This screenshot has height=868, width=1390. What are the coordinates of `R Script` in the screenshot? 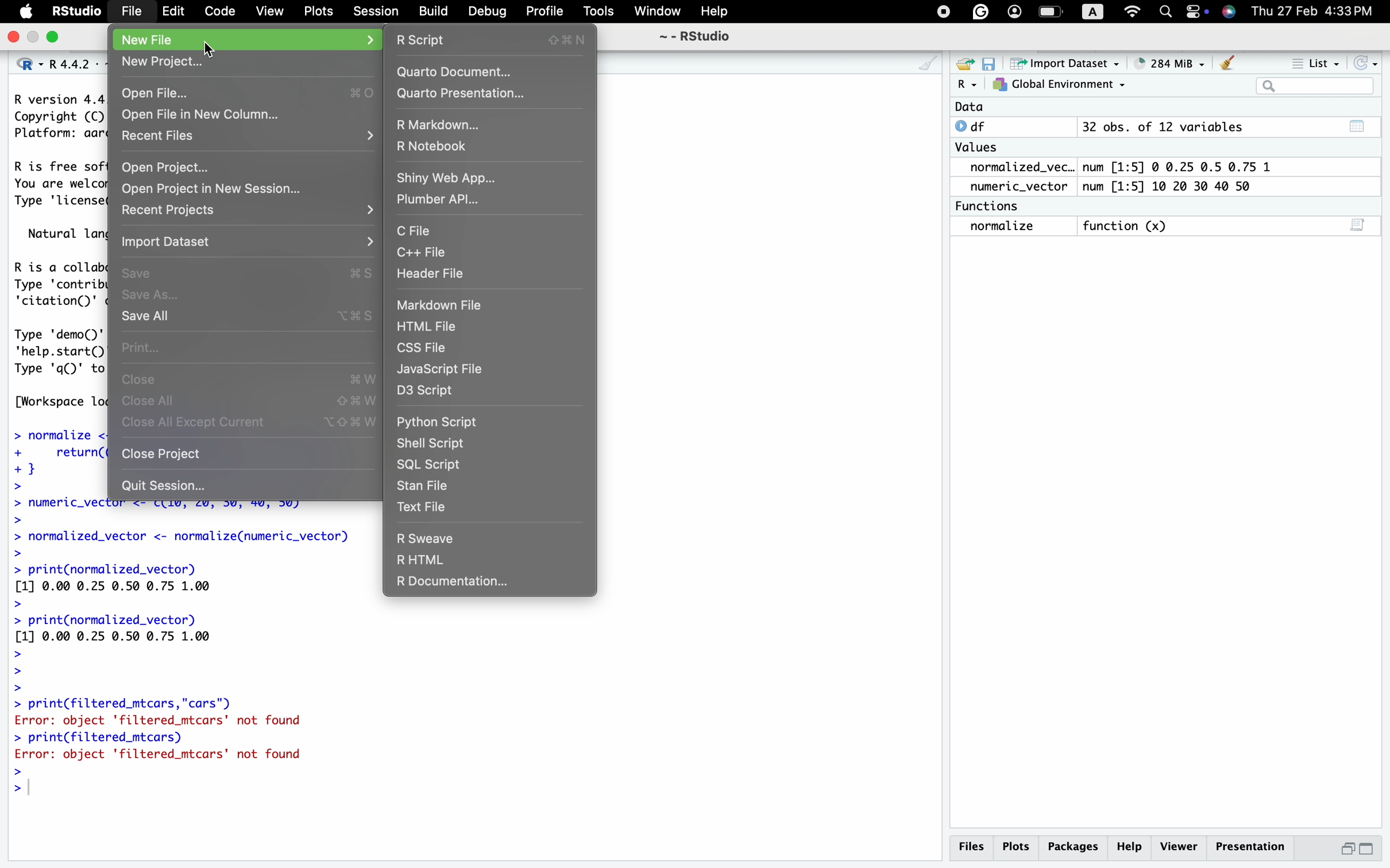 It's located at (496, 40).